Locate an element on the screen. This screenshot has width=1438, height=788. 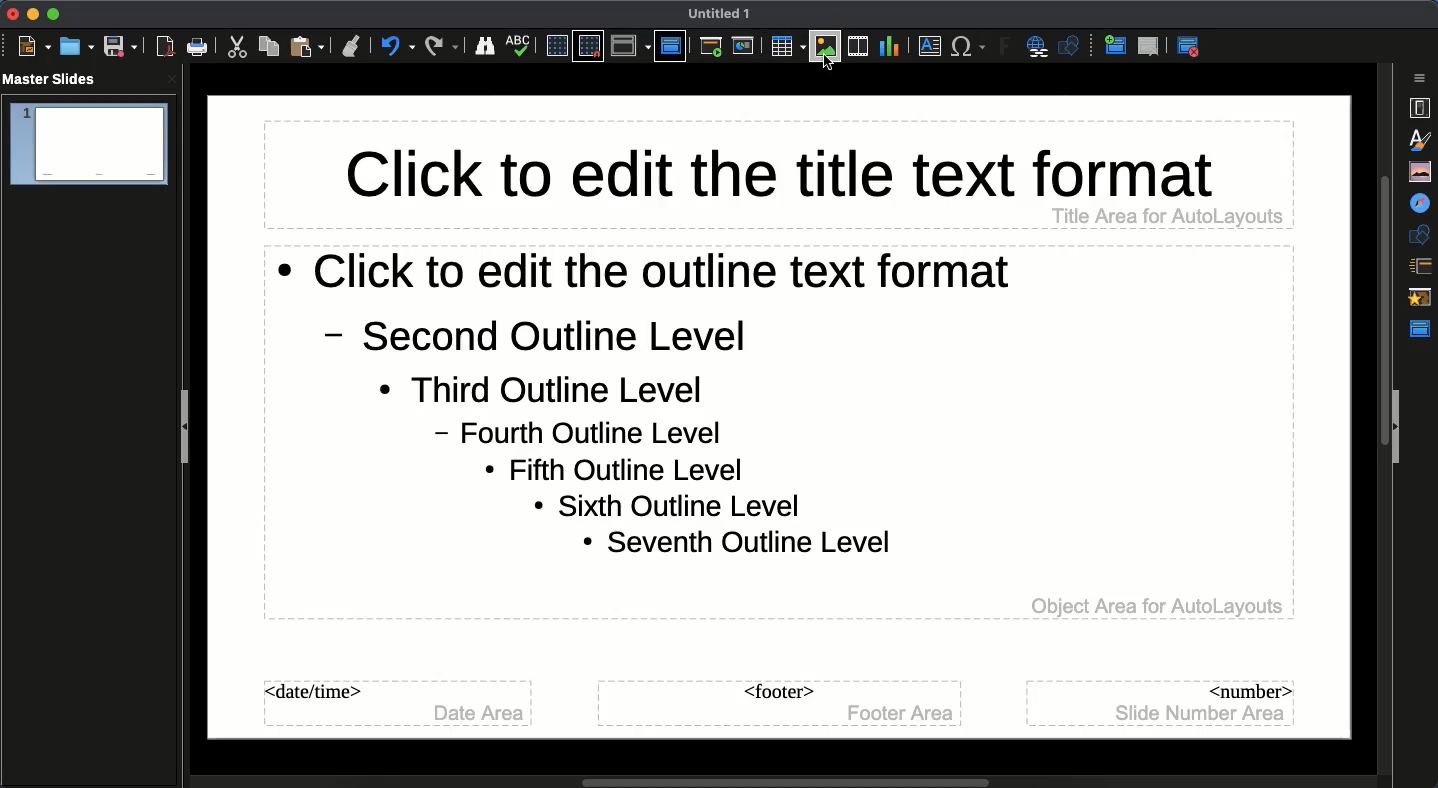
Master slides is located at coordinates (56, 80).